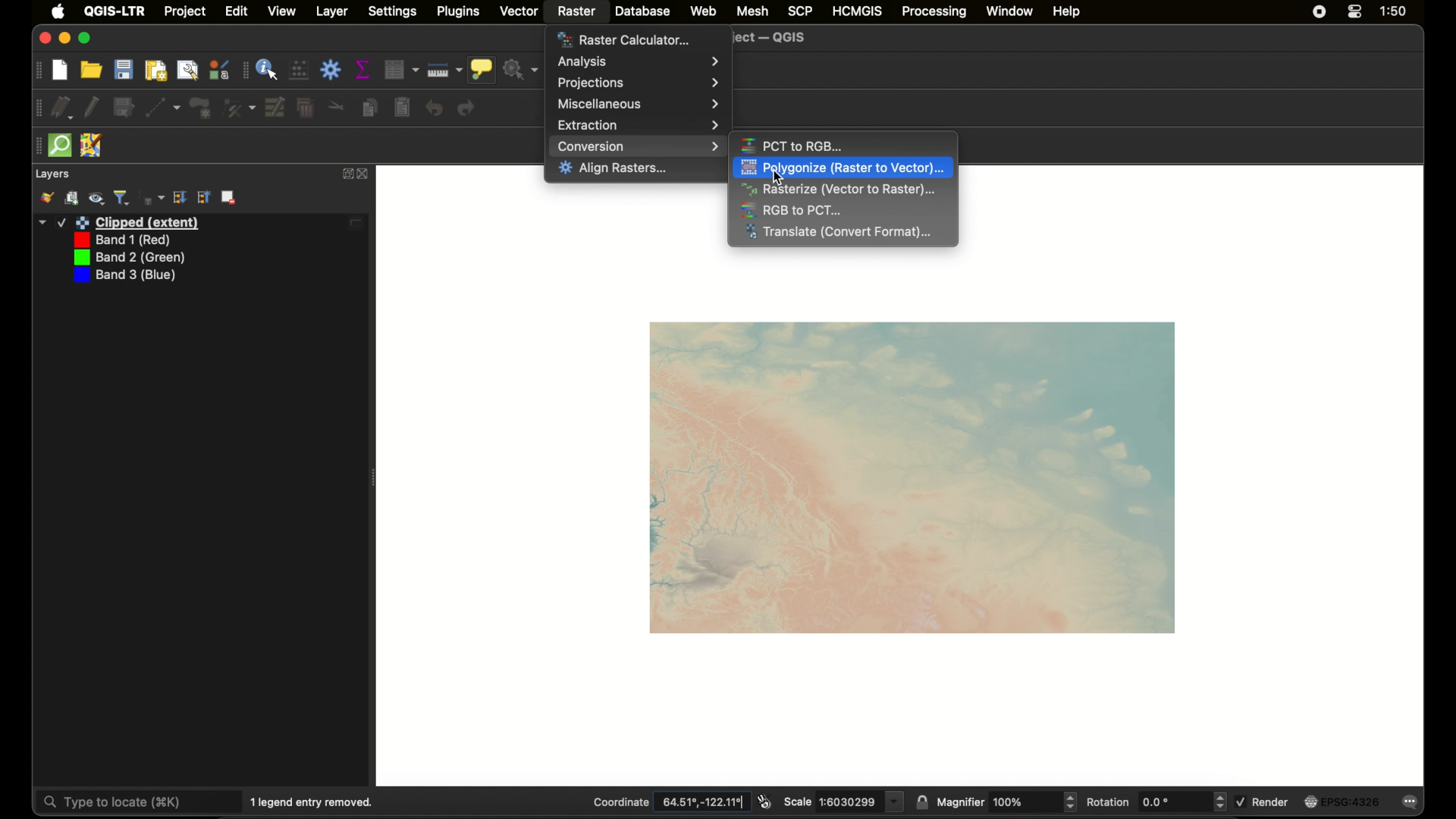  Describe the element at coordinates (229, 197) in the screenshot. I see `remove layer` at that location.